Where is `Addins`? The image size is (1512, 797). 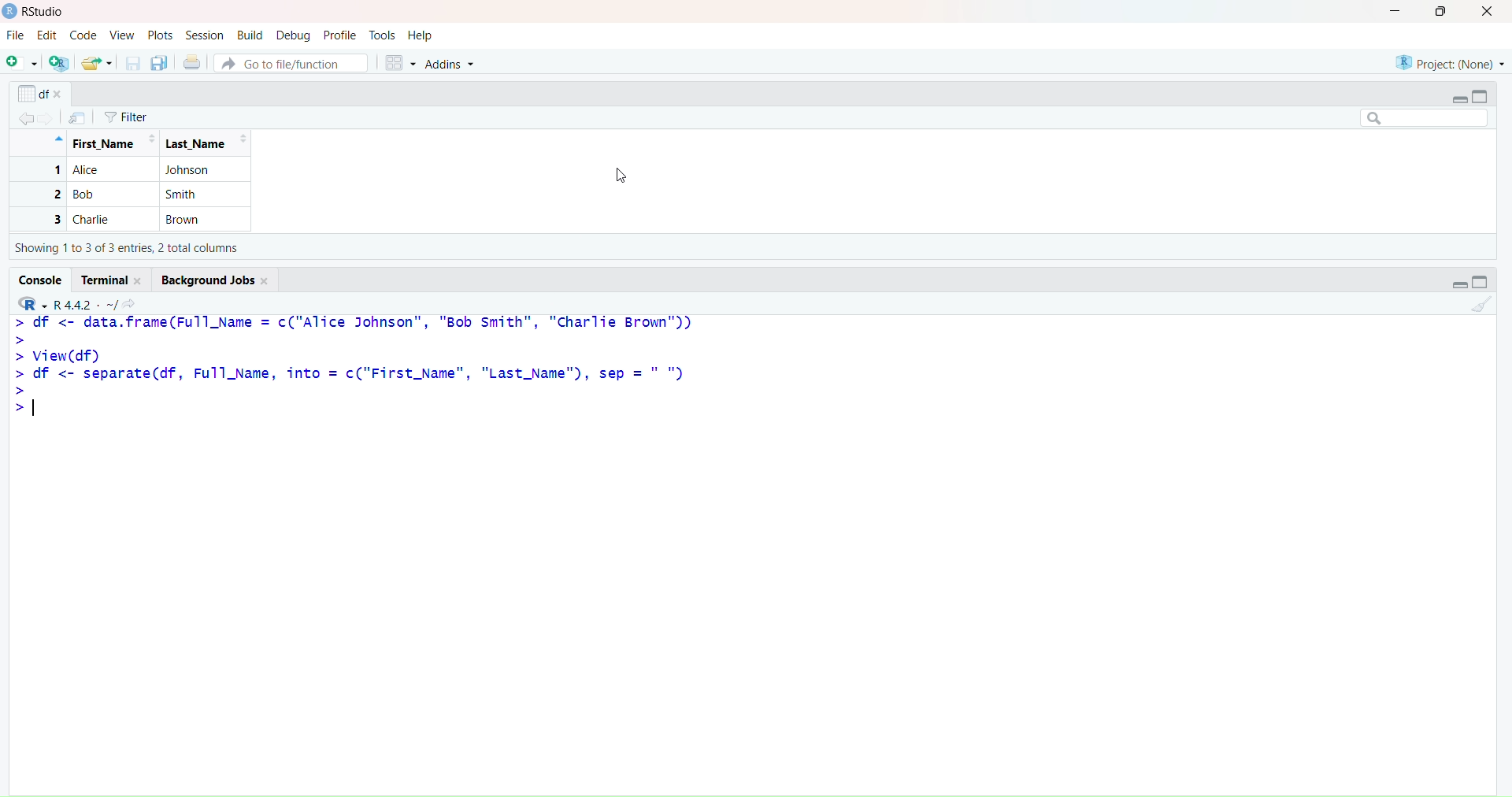 Addins is located at coordinates (453, 64).